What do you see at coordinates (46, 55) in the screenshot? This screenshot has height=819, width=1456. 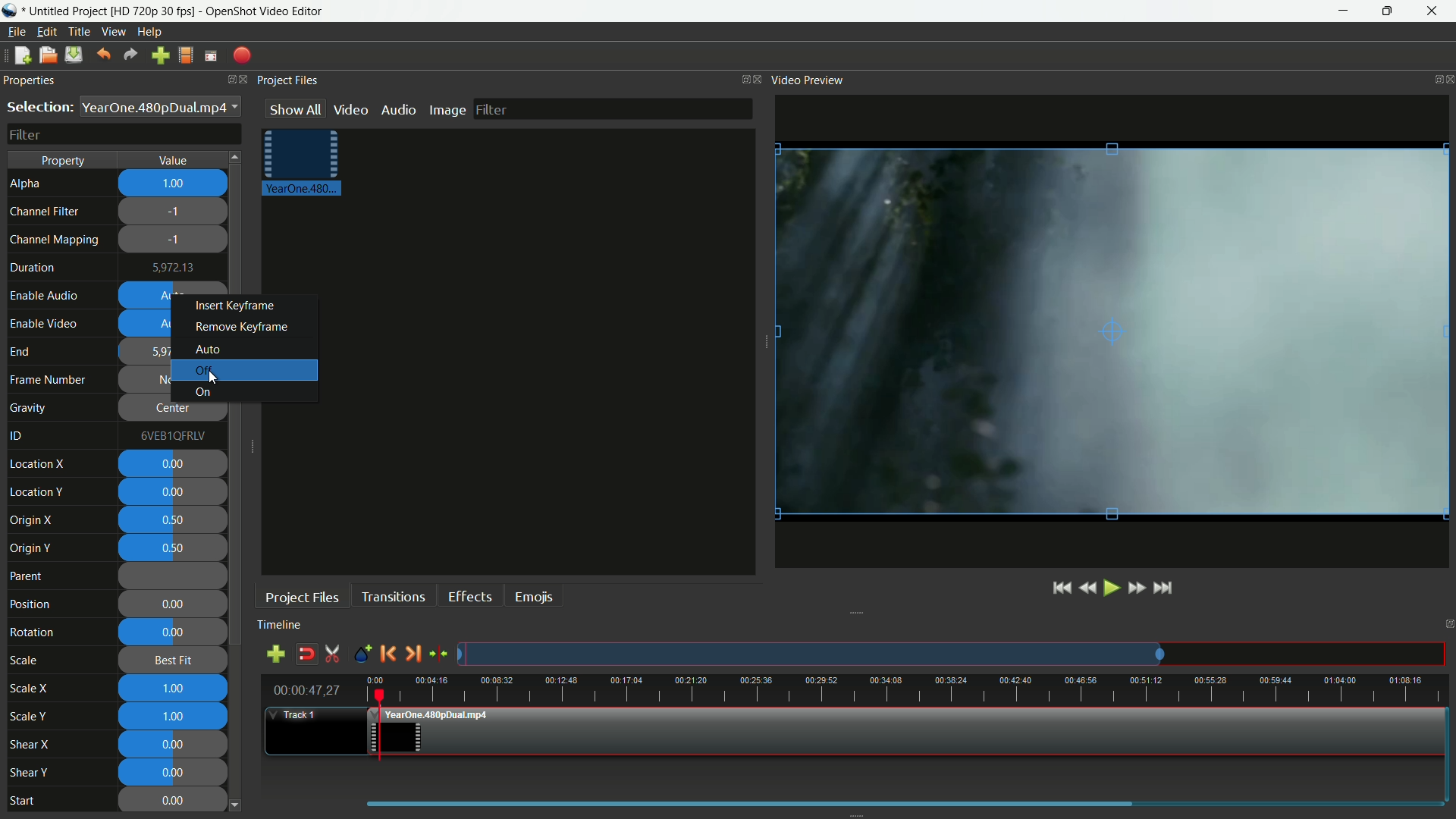 I see `open file` at bounding box center [46, 55].